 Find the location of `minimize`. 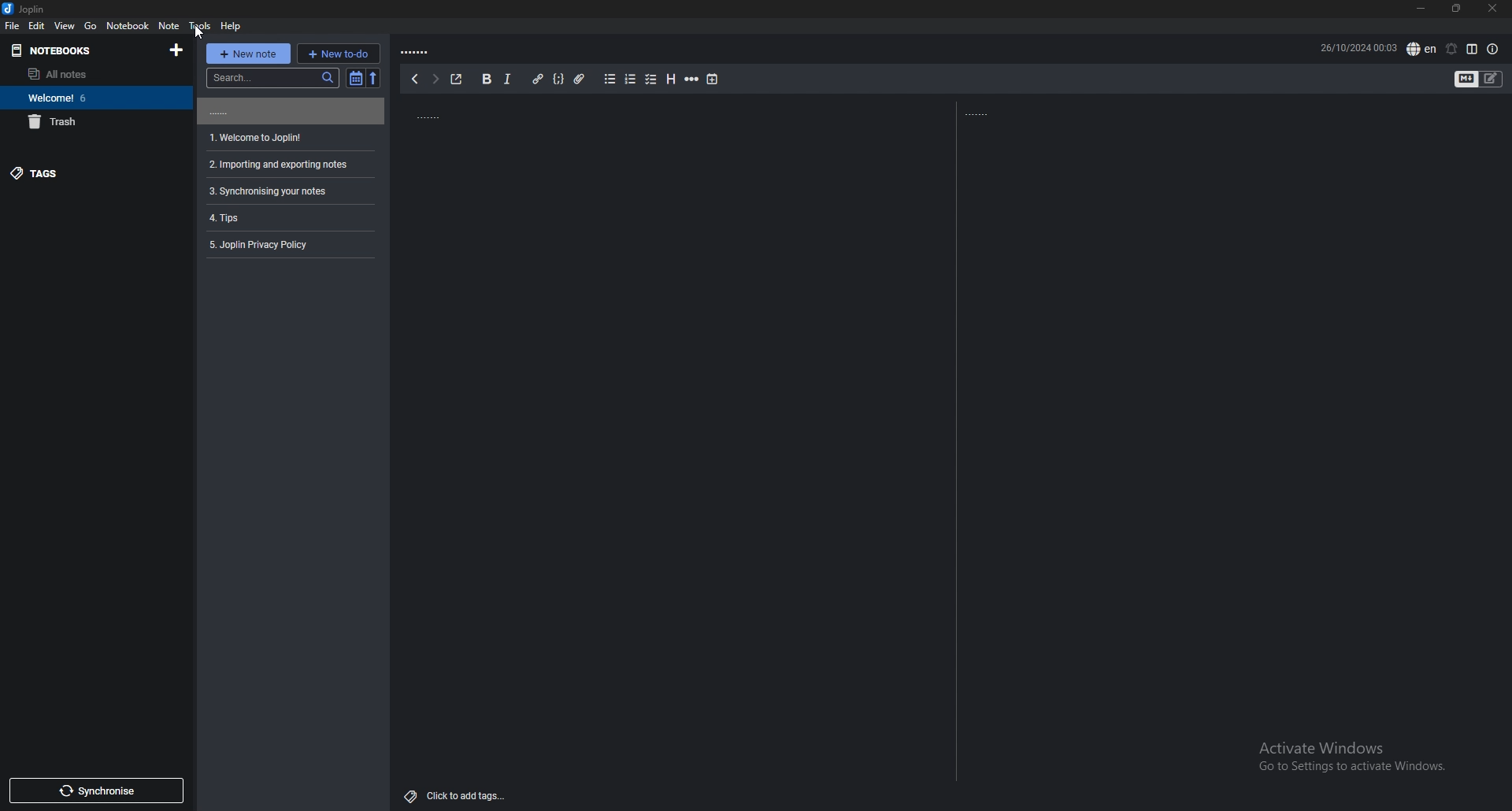

minimize is located at coordinates (1419, 7).